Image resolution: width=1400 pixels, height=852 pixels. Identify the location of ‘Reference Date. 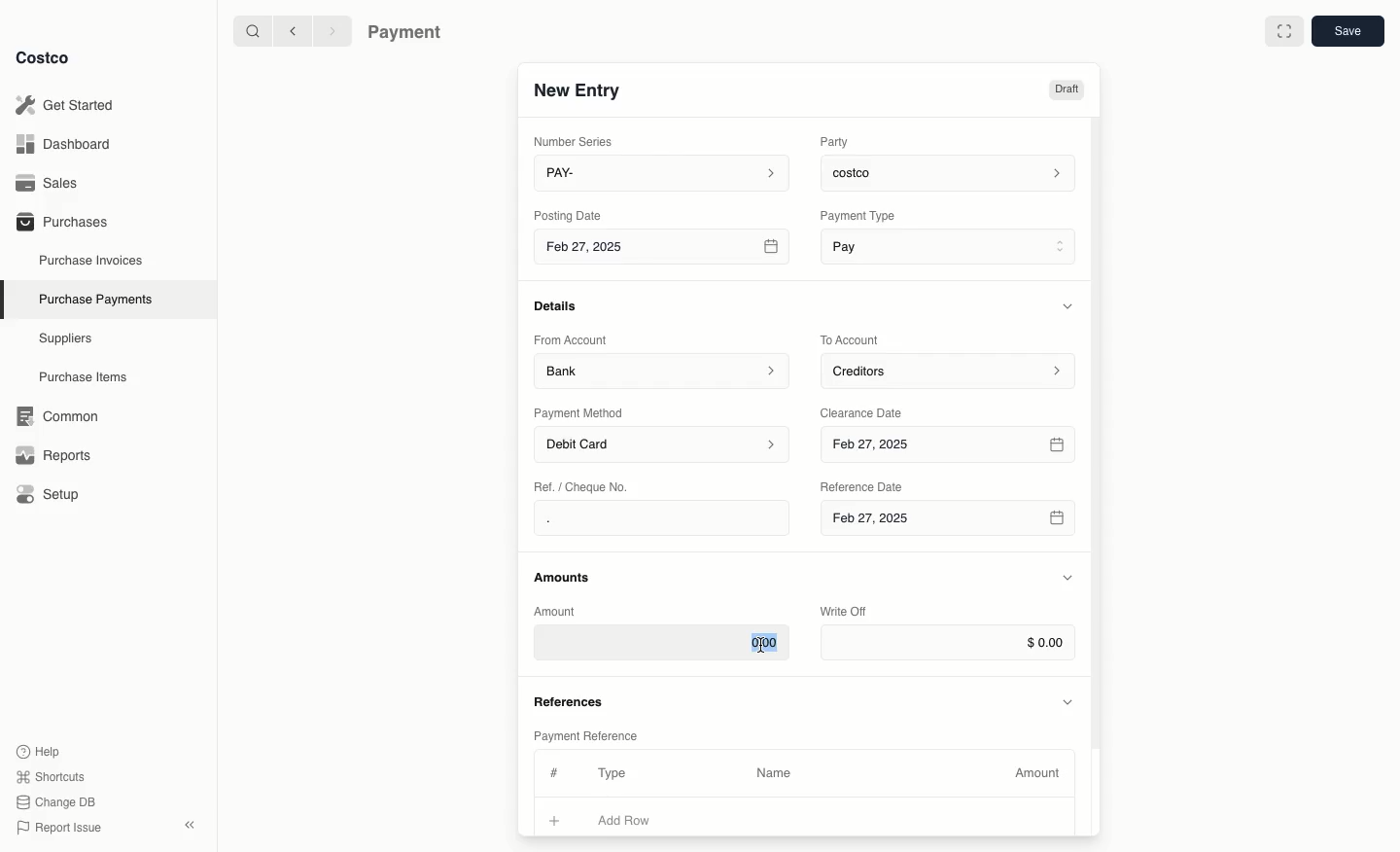
(863, 486).